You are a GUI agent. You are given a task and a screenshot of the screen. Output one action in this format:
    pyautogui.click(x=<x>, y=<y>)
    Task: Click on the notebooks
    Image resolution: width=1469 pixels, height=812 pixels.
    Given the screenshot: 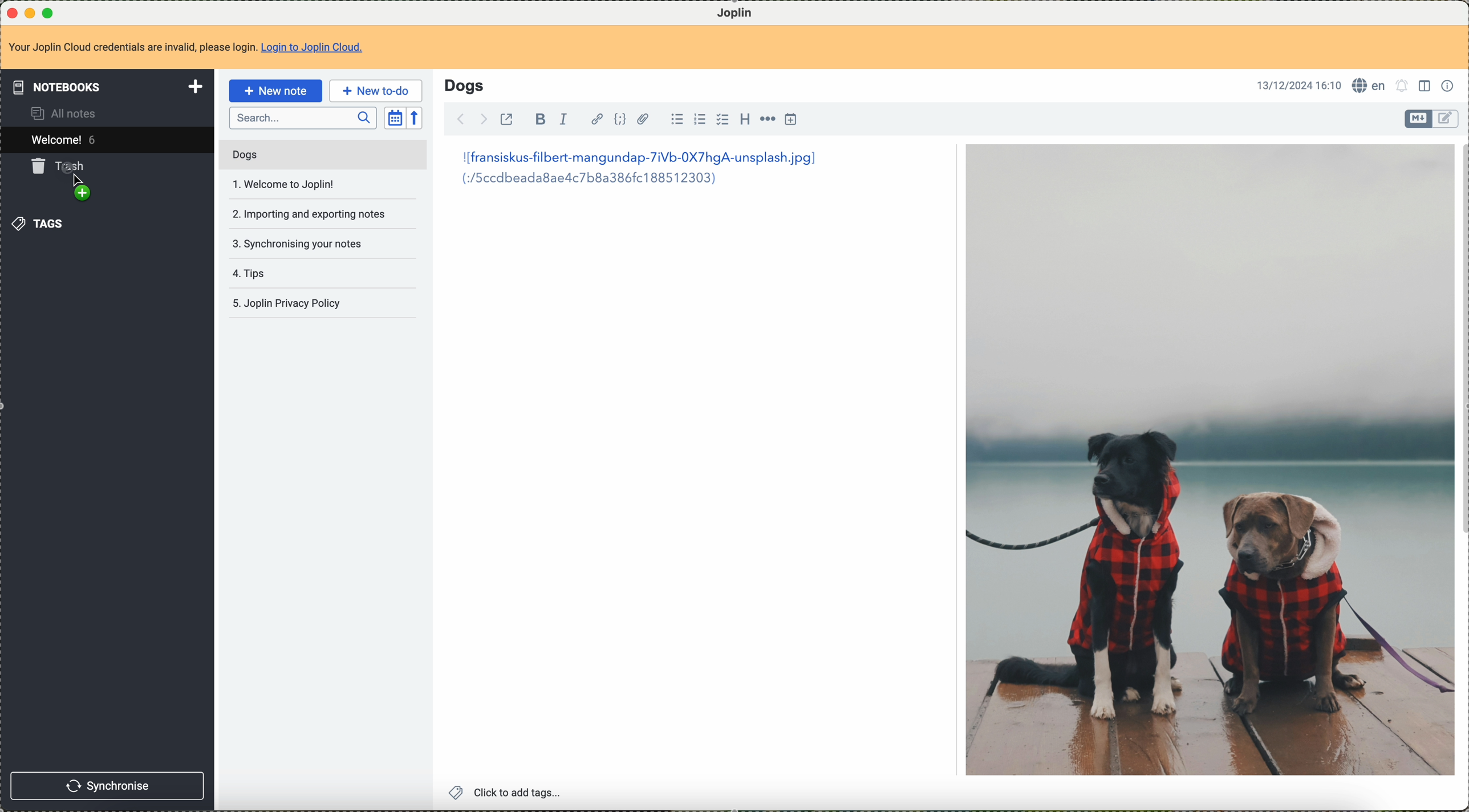 What is the action you would take?
    pyautogui.click(x=107, y=85)
    